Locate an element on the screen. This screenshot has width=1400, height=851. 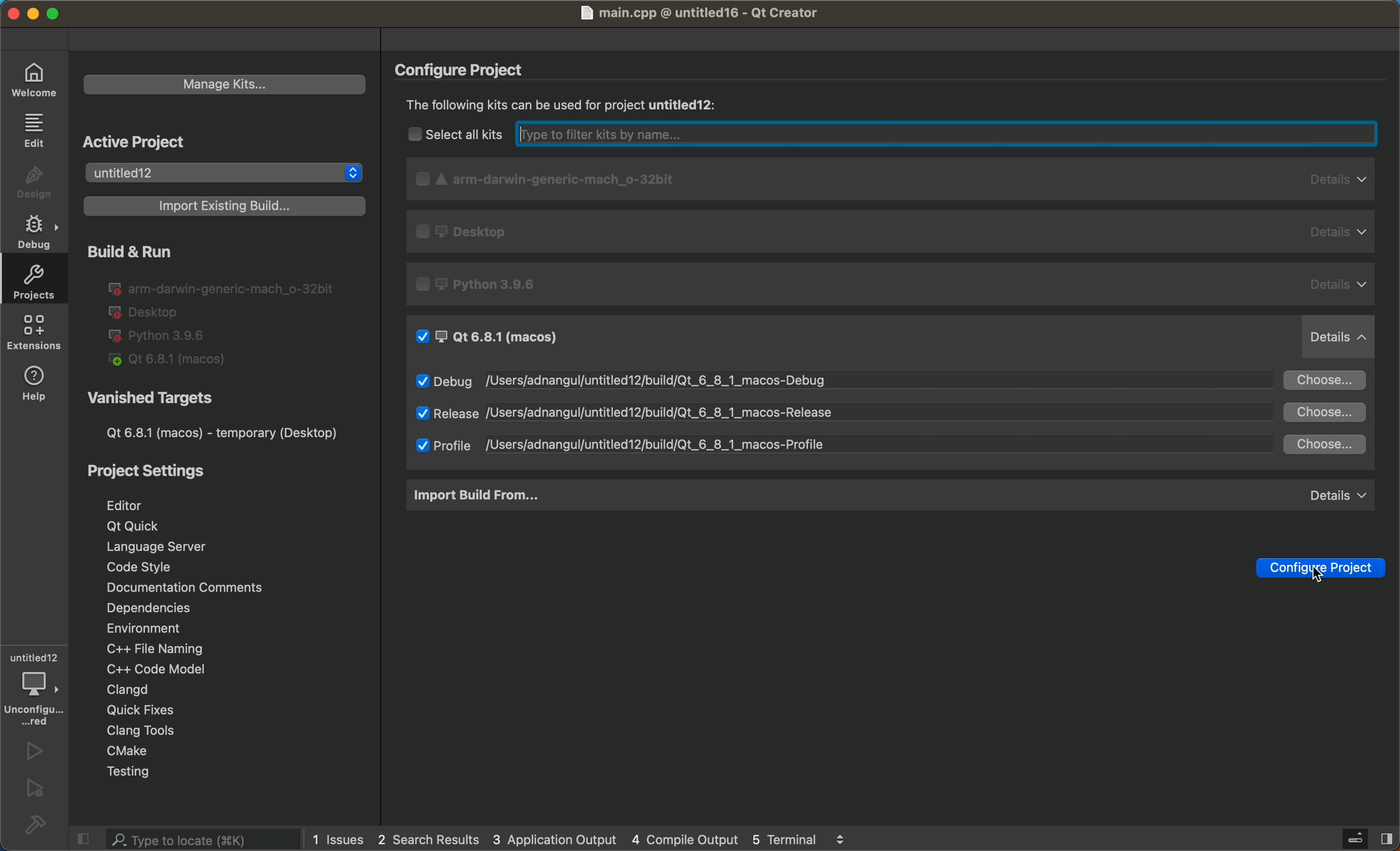
manage kits is located at coordinates (227, 82).